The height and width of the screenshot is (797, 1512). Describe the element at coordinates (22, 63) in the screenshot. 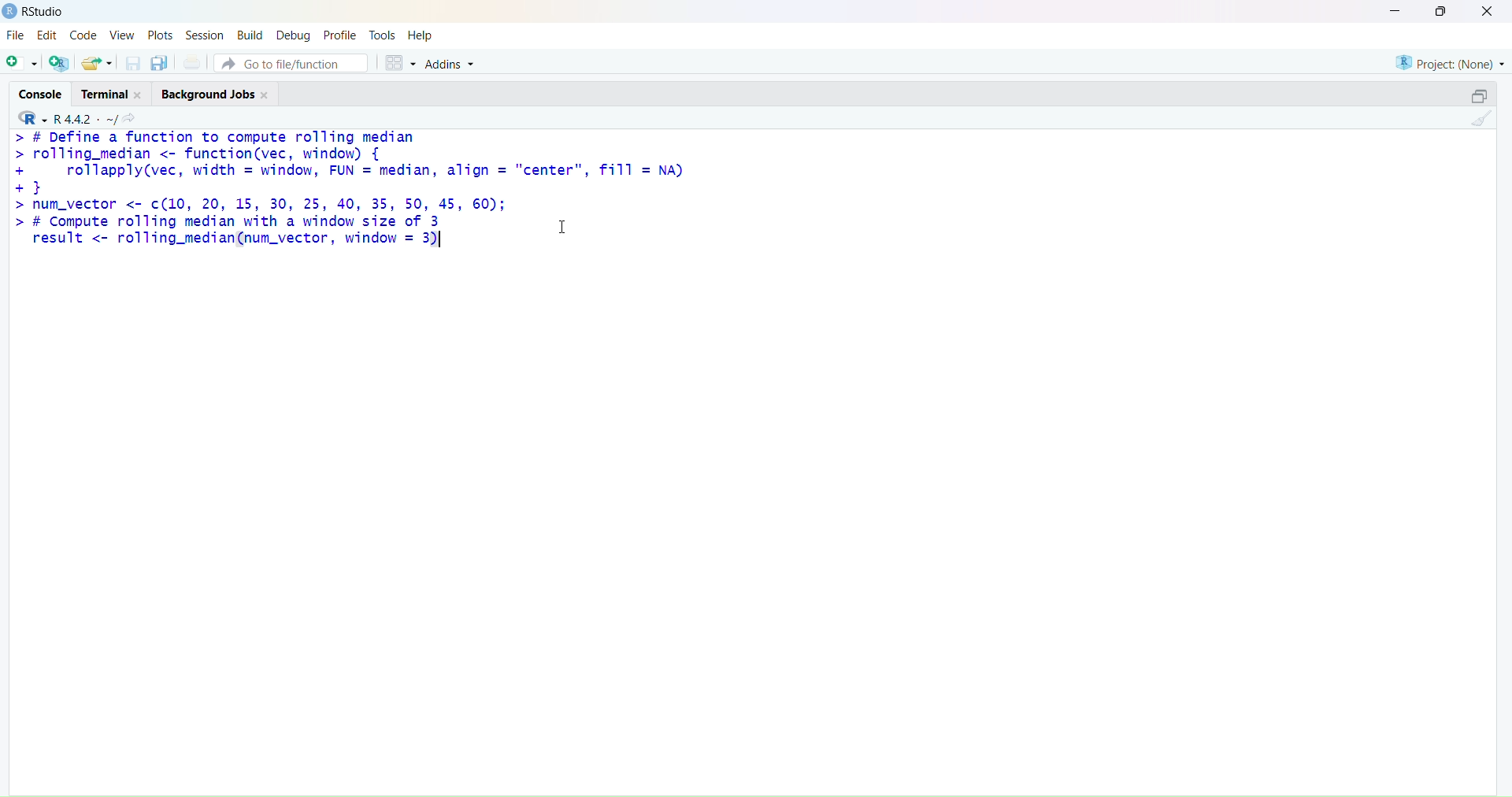

I see `add file as` at that location.